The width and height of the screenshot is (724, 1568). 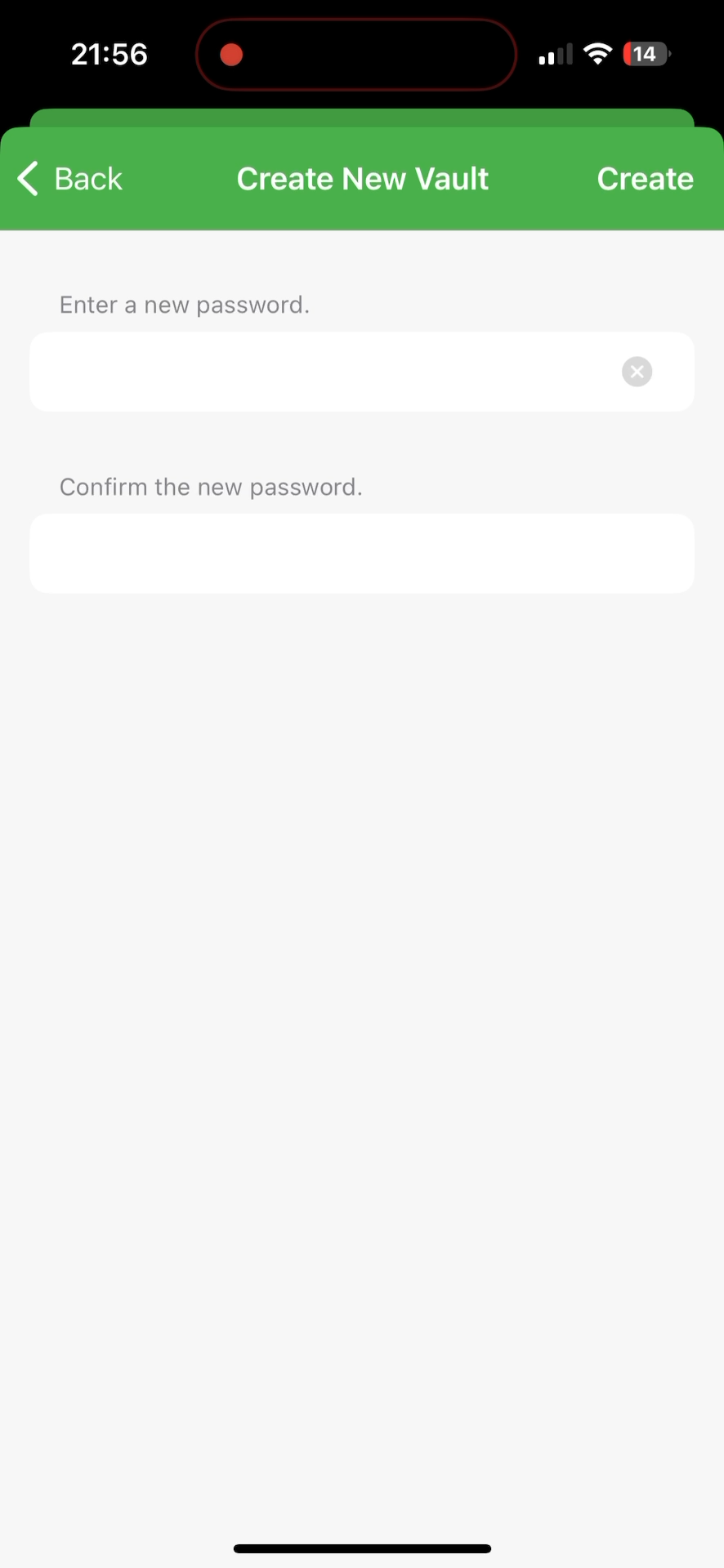 What do you see at coordinates (231, 51) in the screenshot?
I see `recording the screen` at bounding box center [231, 51].